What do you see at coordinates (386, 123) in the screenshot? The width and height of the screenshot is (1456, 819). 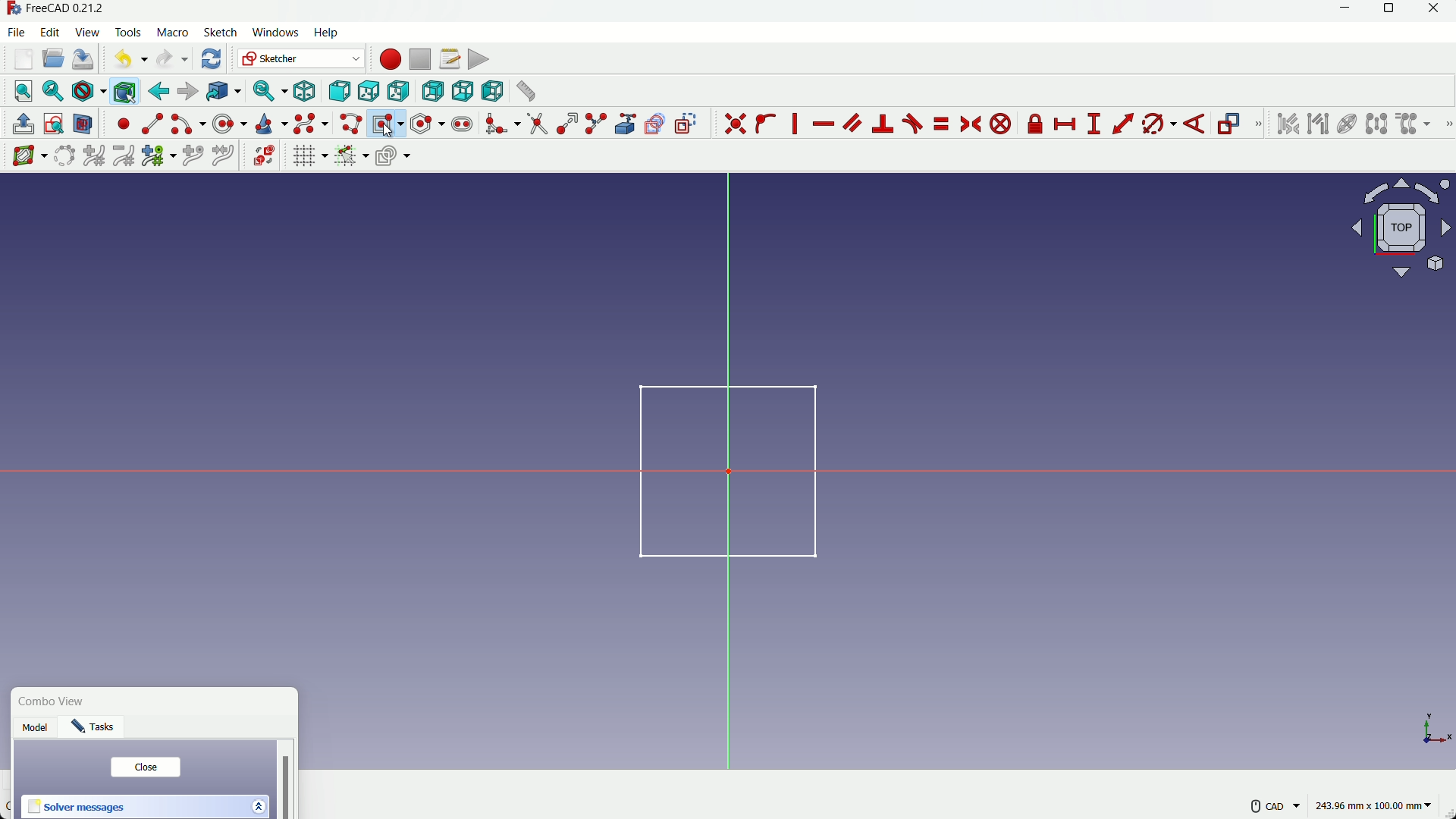 I see `create rectangle` at bounding box center [386, 123].